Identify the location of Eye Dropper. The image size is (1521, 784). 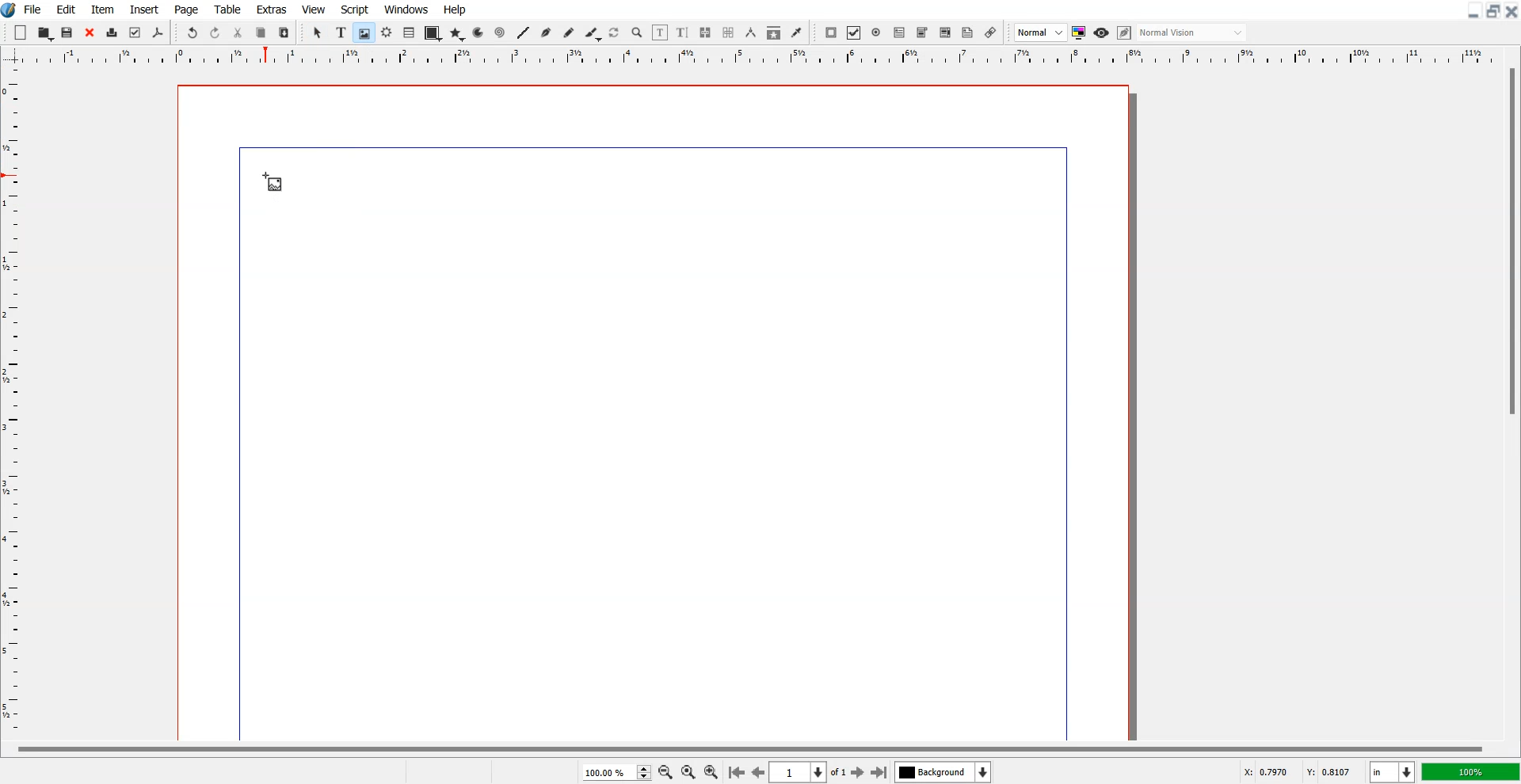
(796, 32).